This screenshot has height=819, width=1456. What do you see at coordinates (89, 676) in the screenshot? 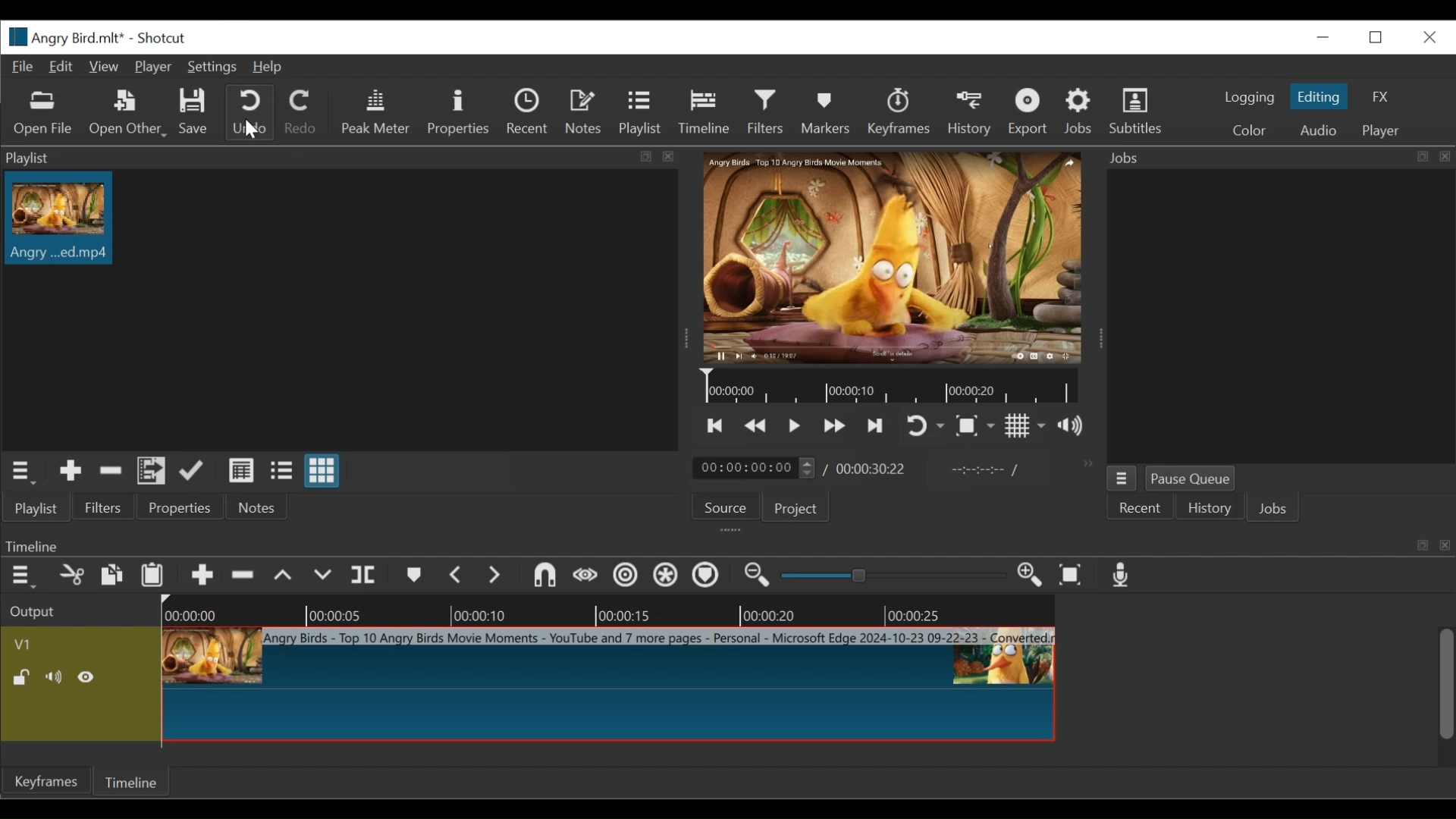
I see `Hide` at bounding box center [89, 676].